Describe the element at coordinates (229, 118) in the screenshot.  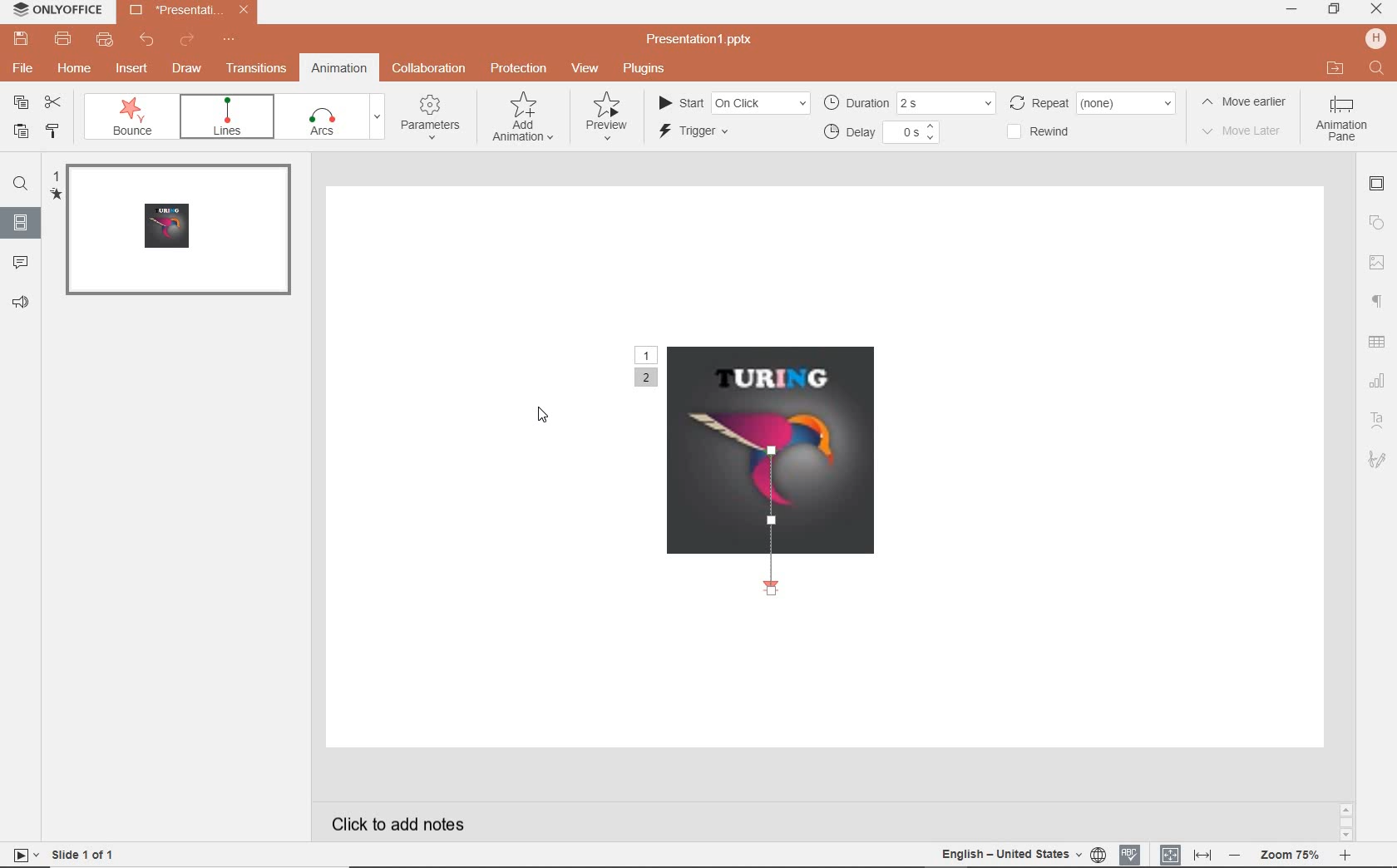
I see `bounce` at that location.